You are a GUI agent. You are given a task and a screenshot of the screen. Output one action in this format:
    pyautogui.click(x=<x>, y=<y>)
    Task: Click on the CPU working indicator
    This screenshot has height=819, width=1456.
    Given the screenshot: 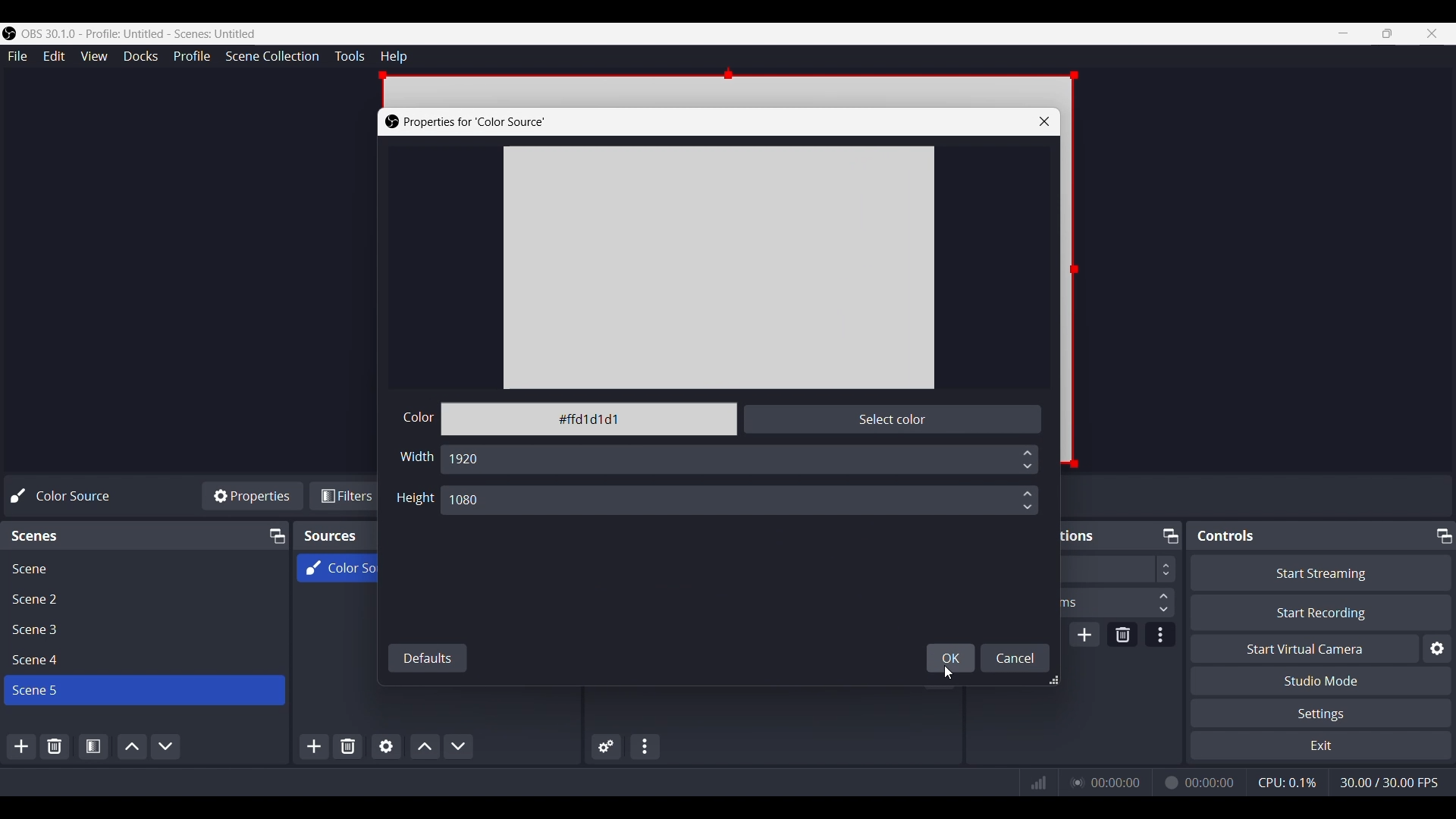 What is the action you would take?
    pyautogui.click(x=1287, y=782)
    